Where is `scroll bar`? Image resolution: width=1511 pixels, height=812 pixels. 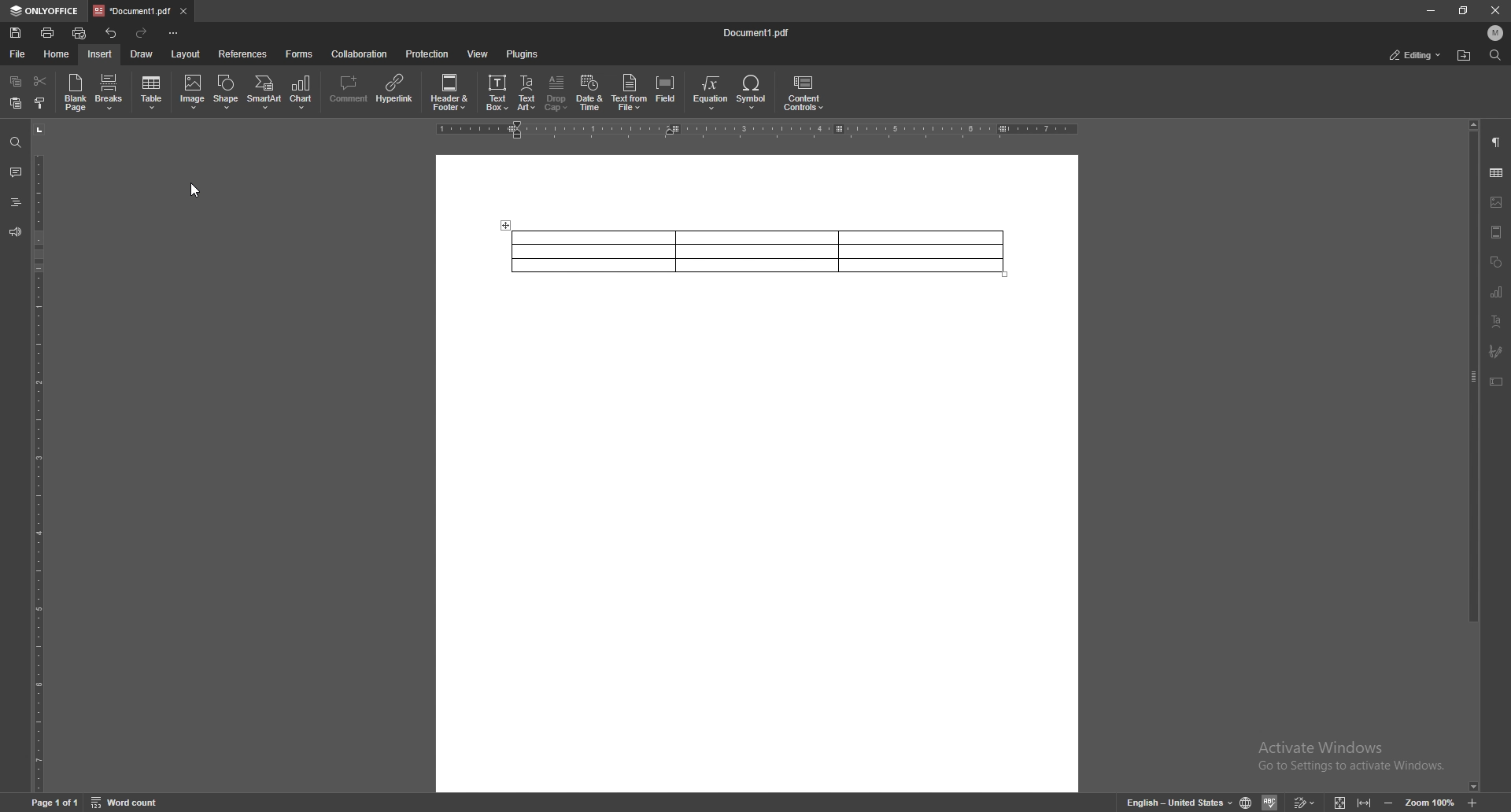 scroll bar is located at coordinates (1474, 456).